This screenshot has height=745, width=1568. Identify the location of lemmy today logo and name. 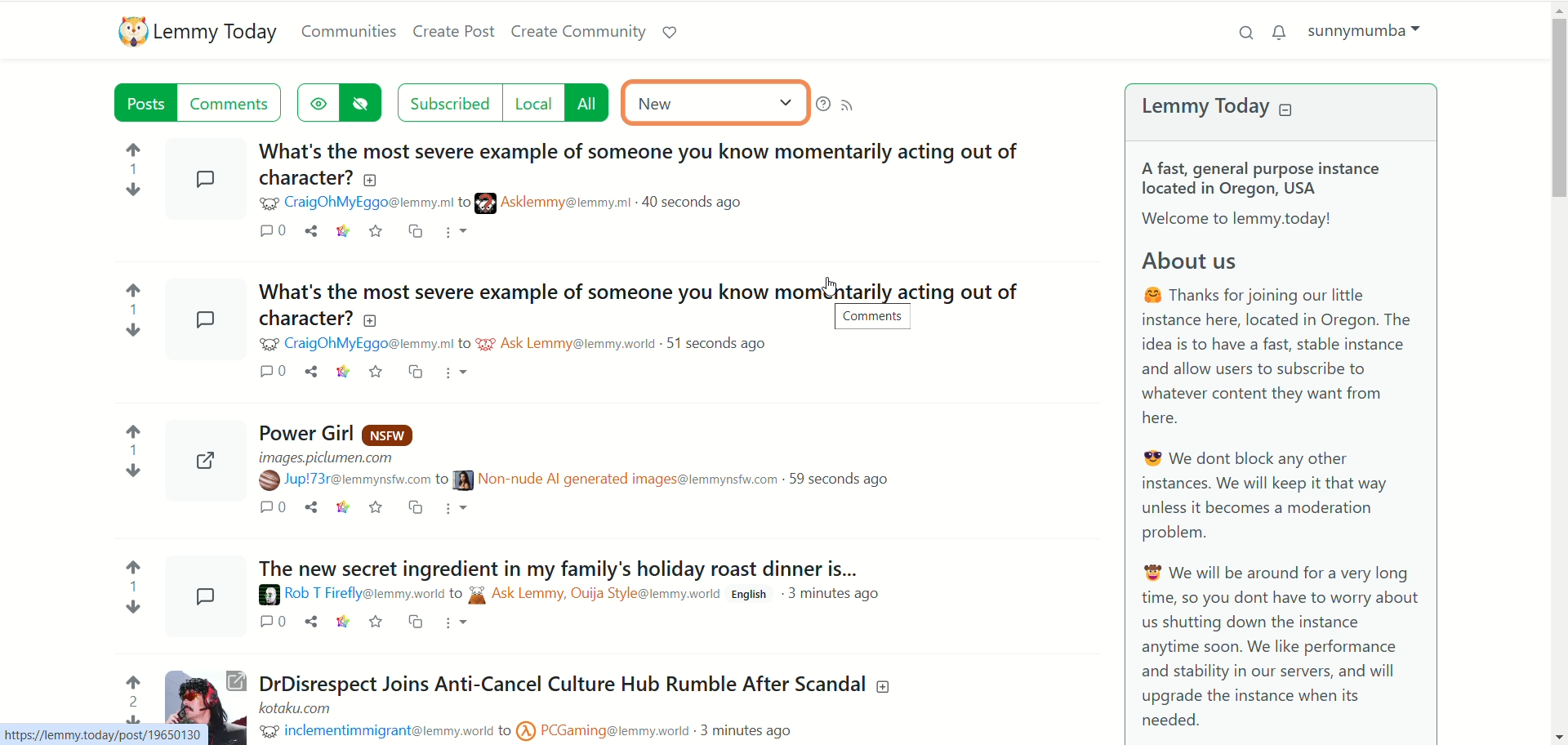
(195, 32).